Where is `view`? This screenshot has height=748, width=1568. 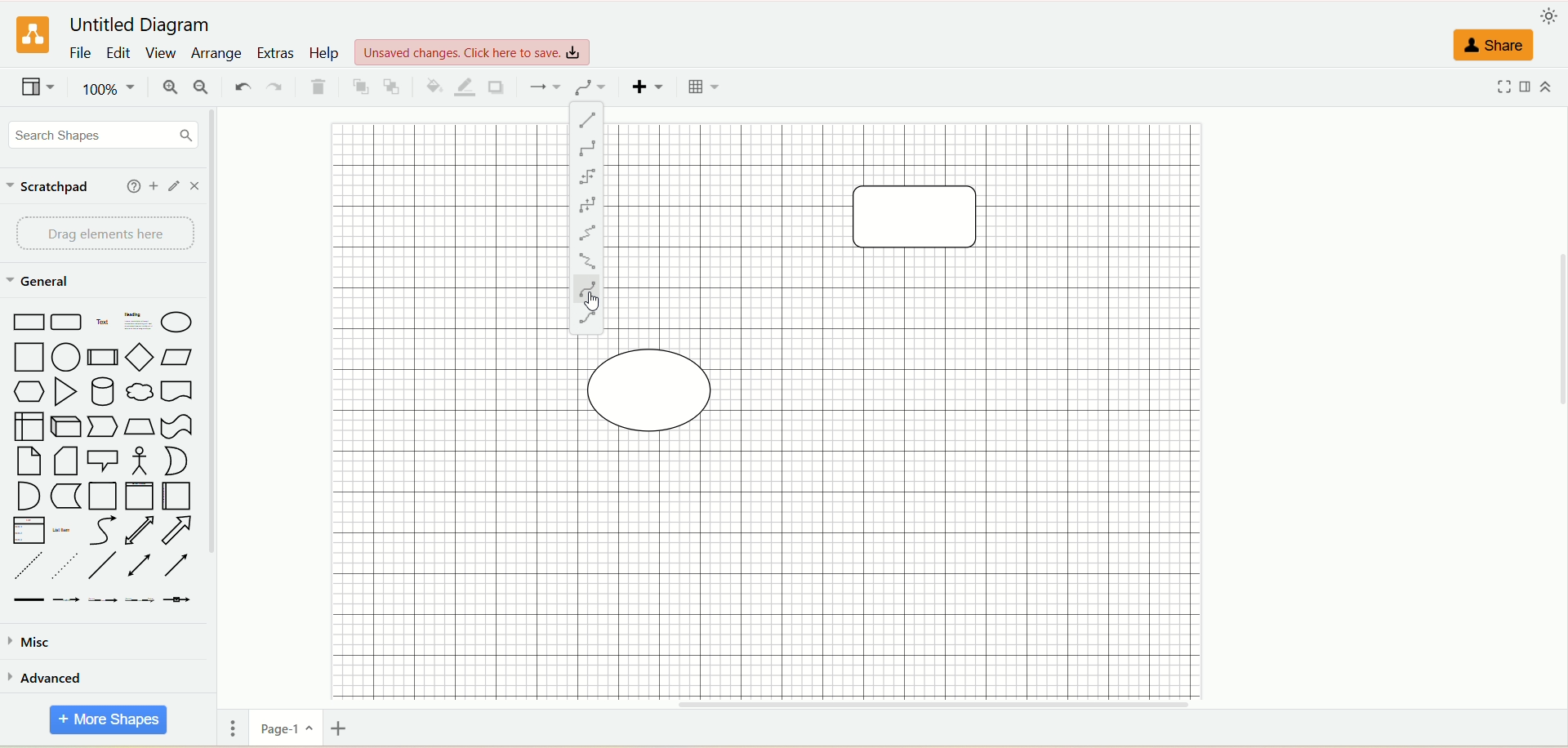 view is located at coordinates (38, 89).